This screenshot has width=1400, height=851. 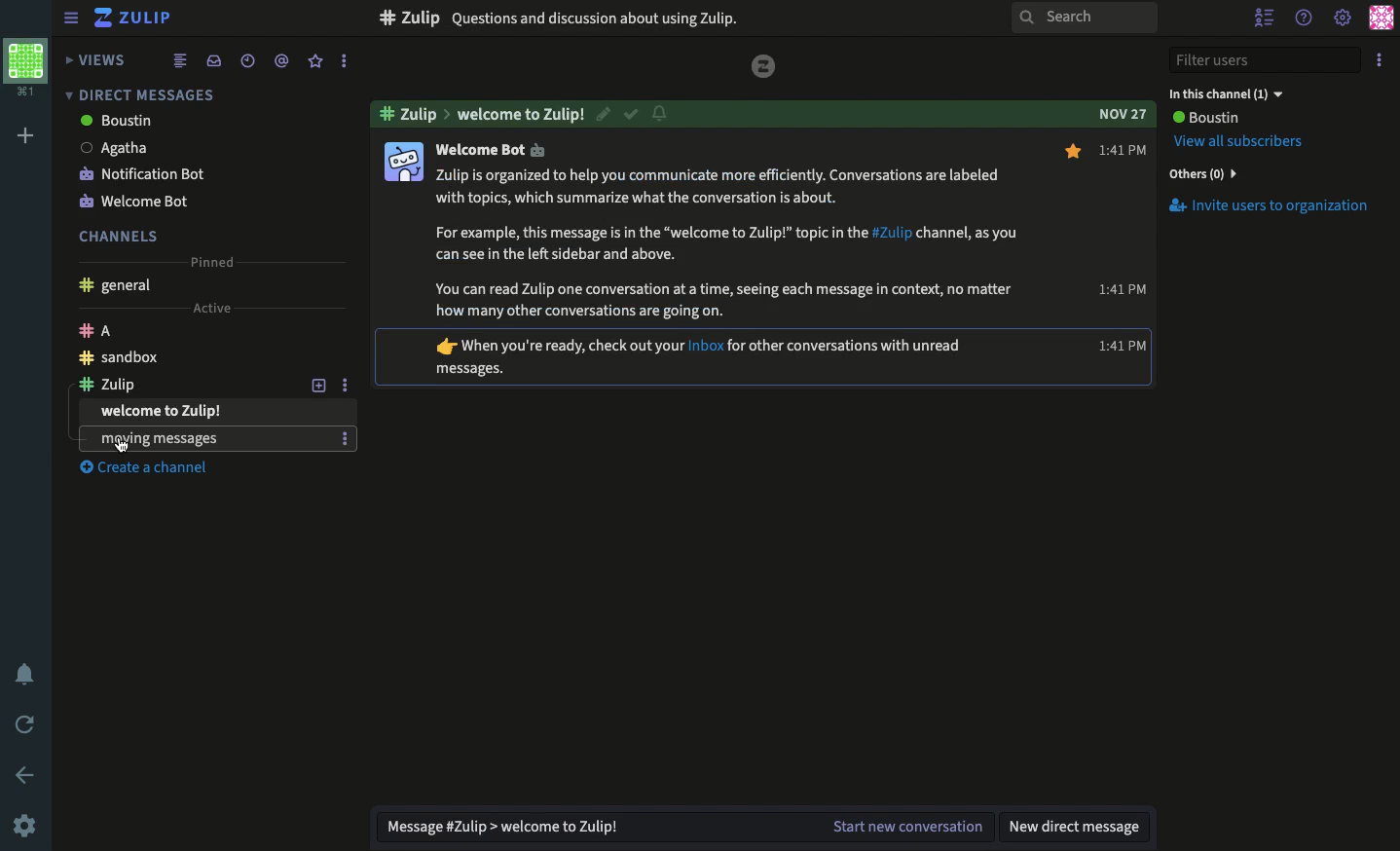 I want to click on View sidebar, so click(x=72, y=20).